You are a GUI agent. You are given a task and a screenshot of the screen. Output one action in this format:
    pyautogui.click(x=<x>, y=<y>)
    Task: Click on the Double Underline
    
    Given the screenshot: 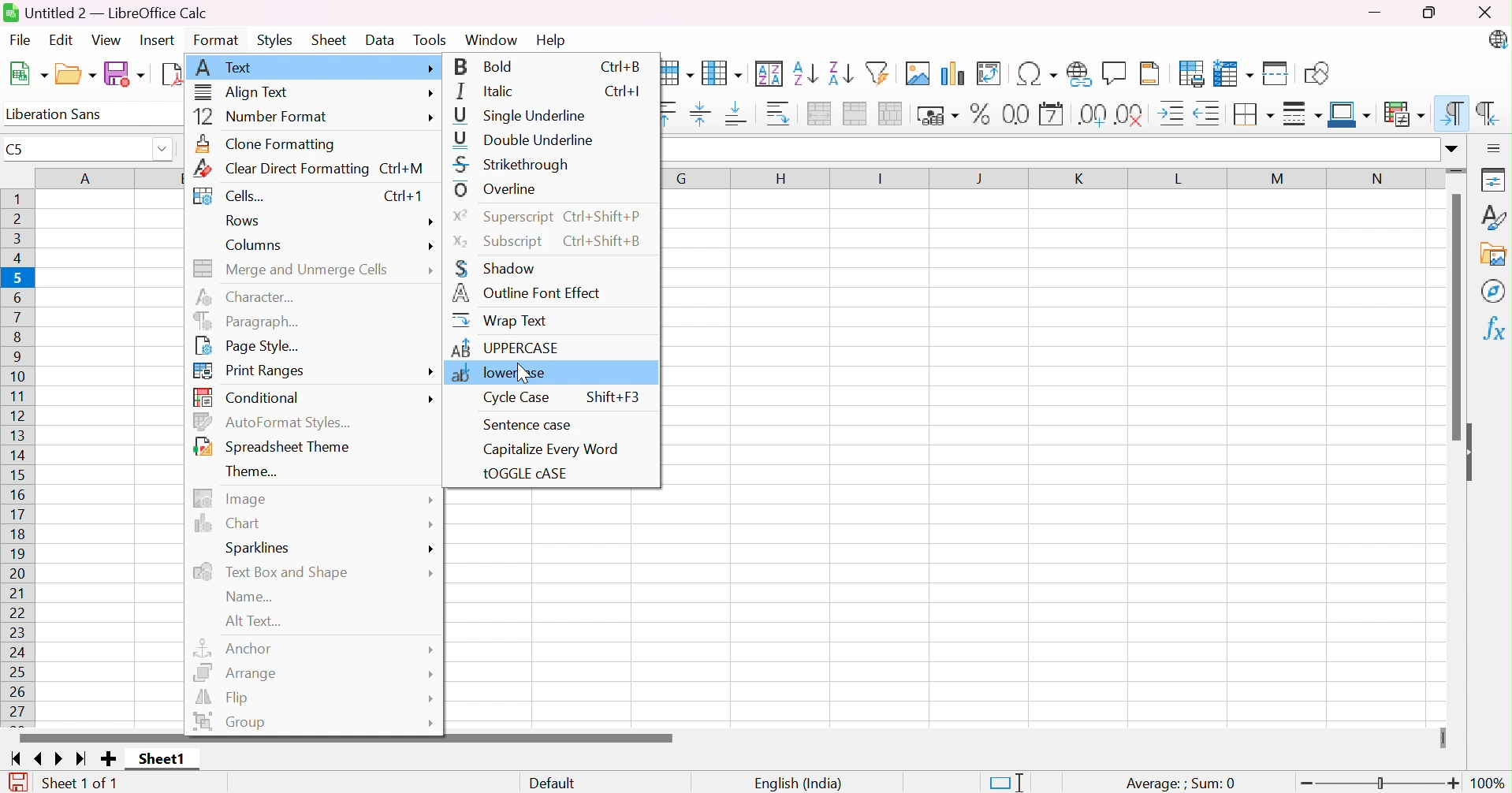 What is the action you would take?
    pyautogui.click(x=526, y=138)
    